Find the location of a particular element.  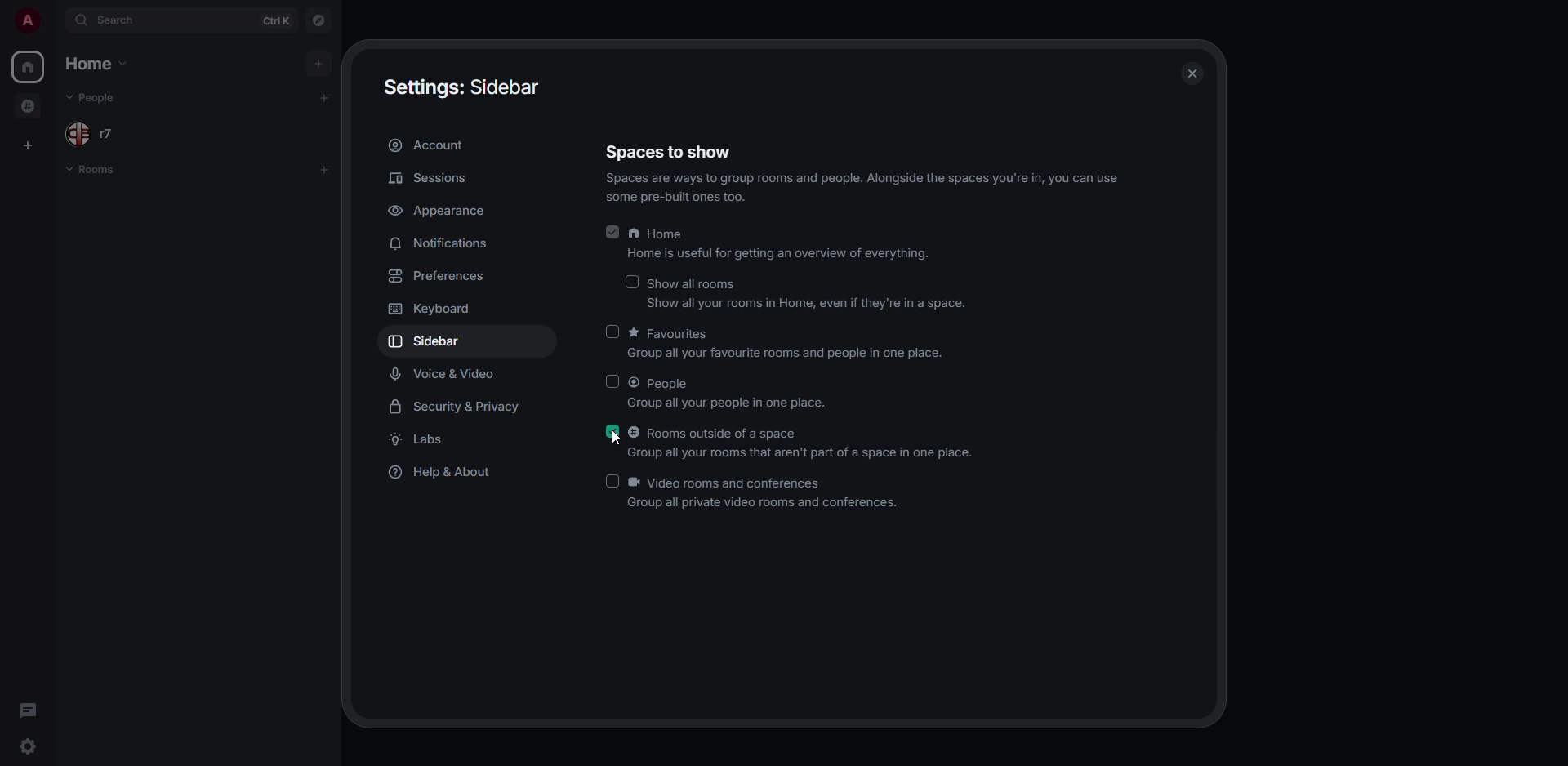

people is located at coordinates (95, 99).